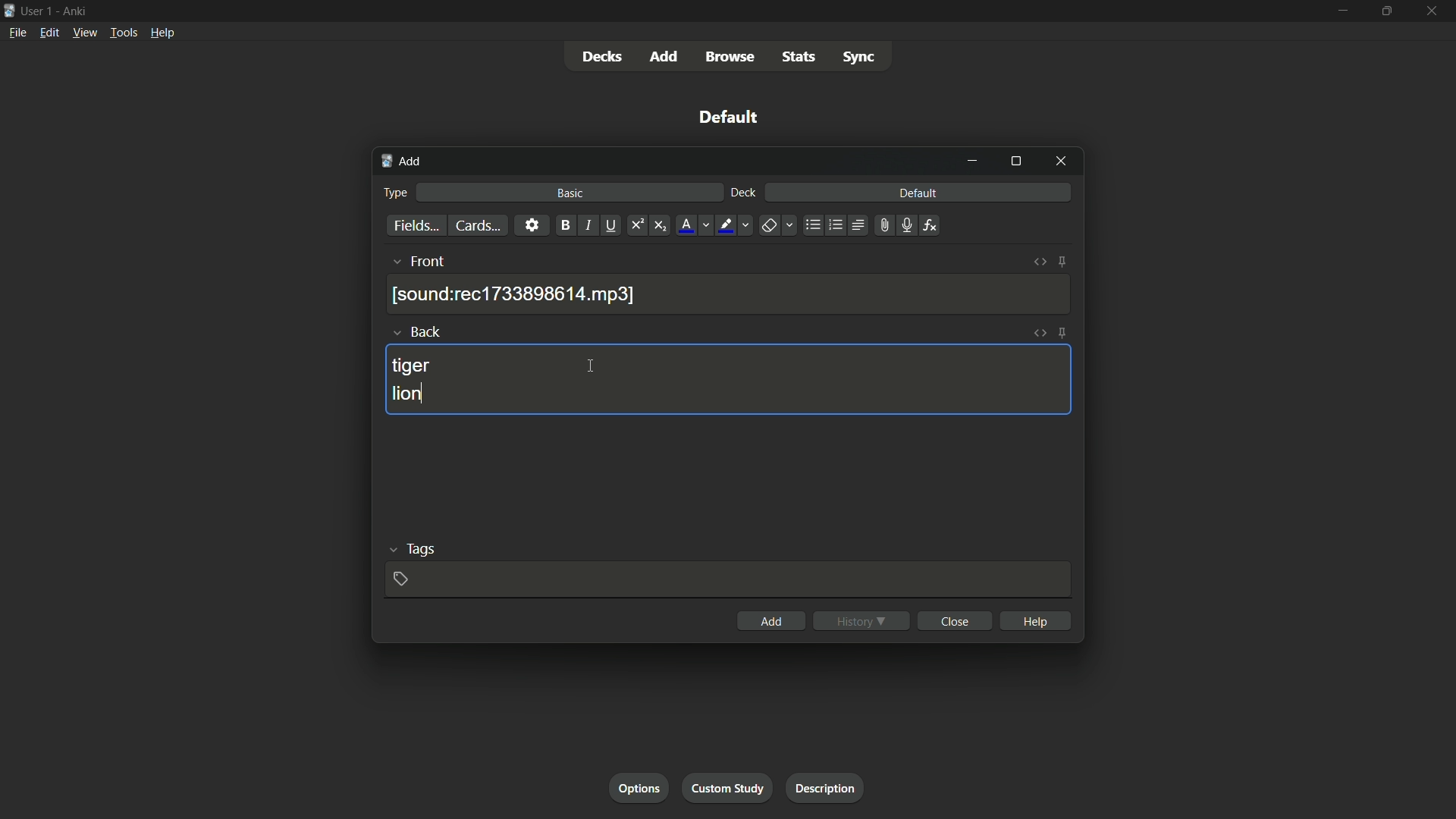 This screenshot has height=819, width=1456. I want to click on bold, so click(563, 225).